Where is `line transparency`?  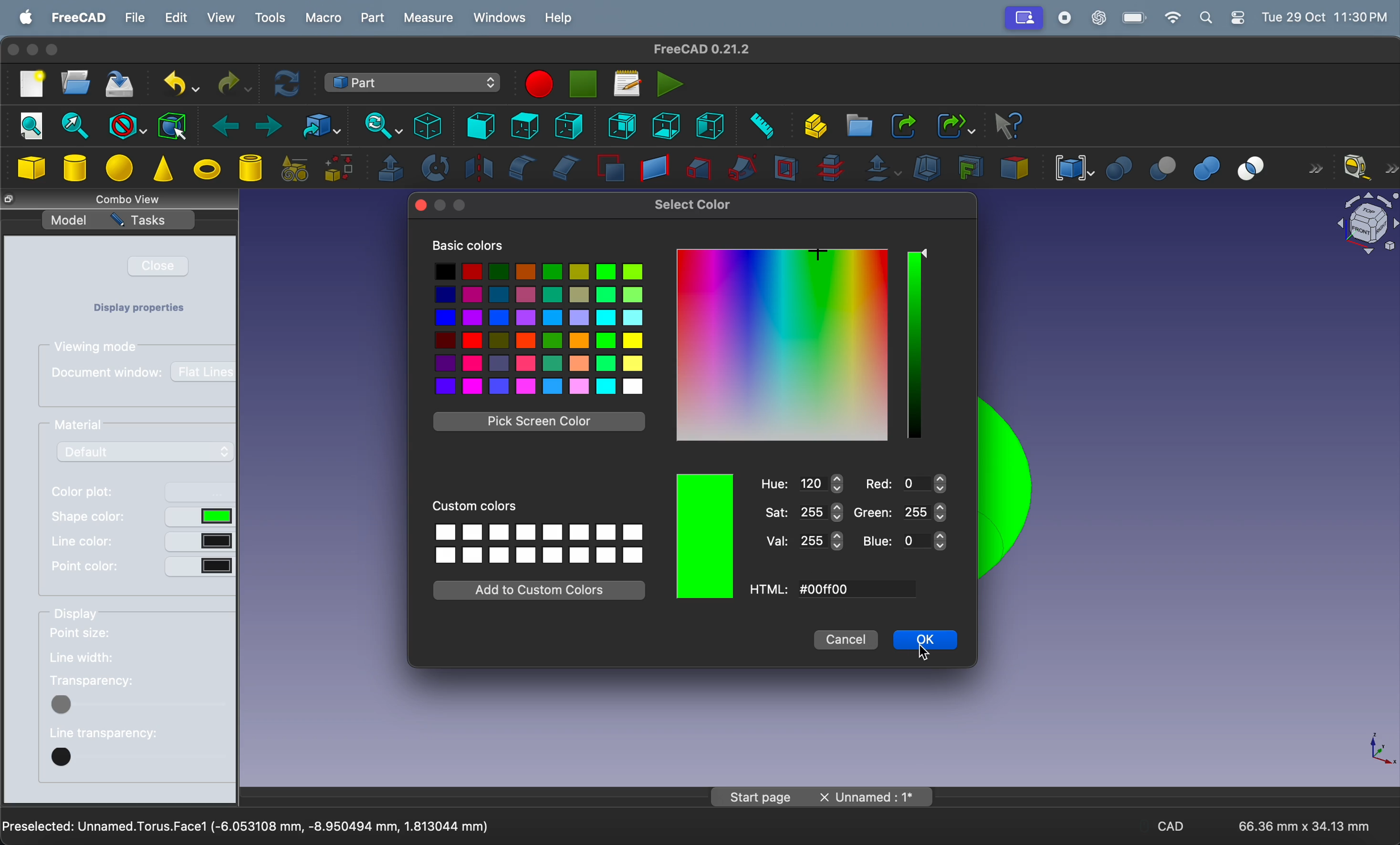
line transparency is located at coordinates (105, 734).